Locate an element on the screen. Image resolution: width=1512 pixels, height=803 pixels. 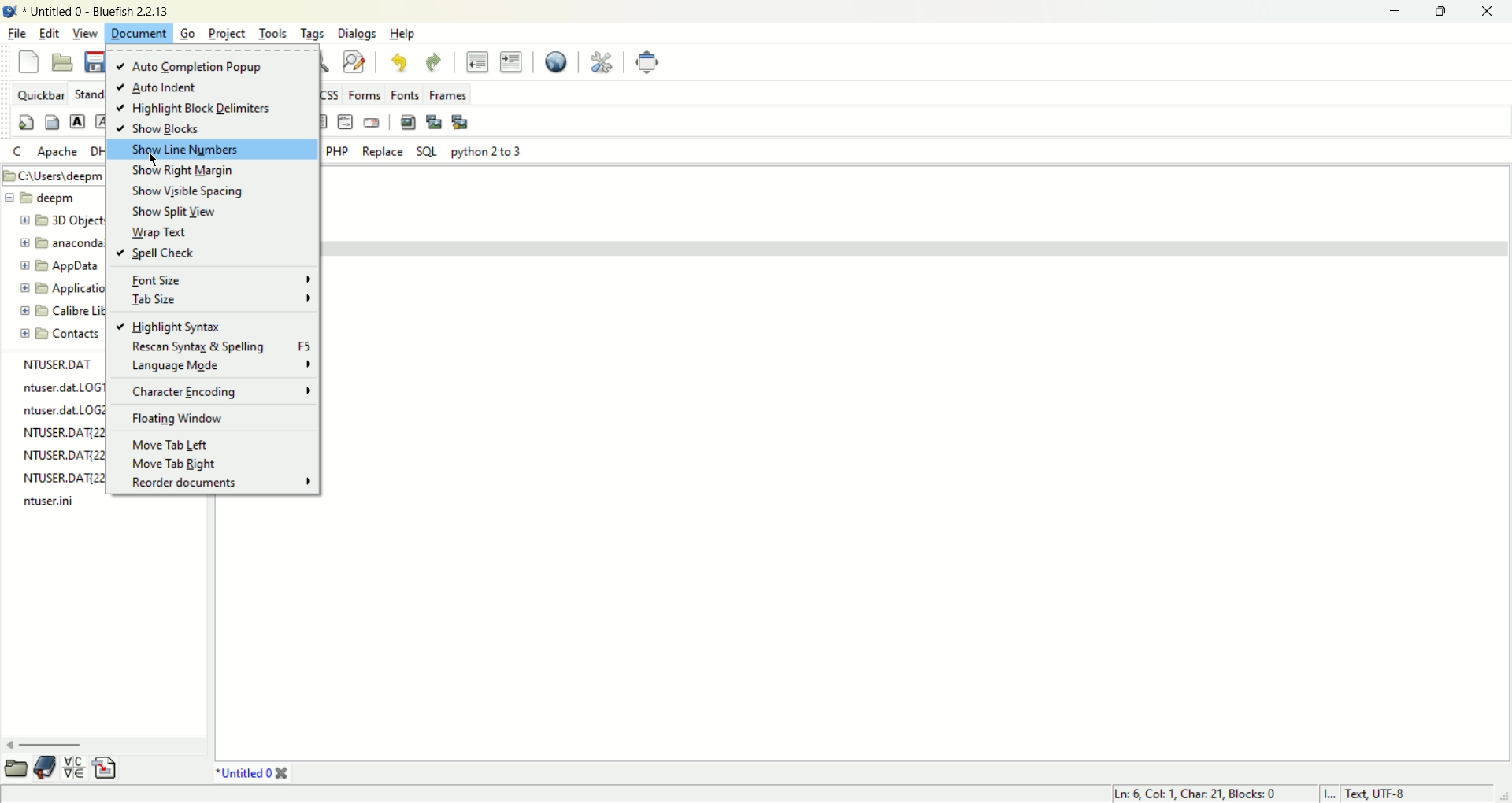
highlight syntax is located at coordinates (171, 325).